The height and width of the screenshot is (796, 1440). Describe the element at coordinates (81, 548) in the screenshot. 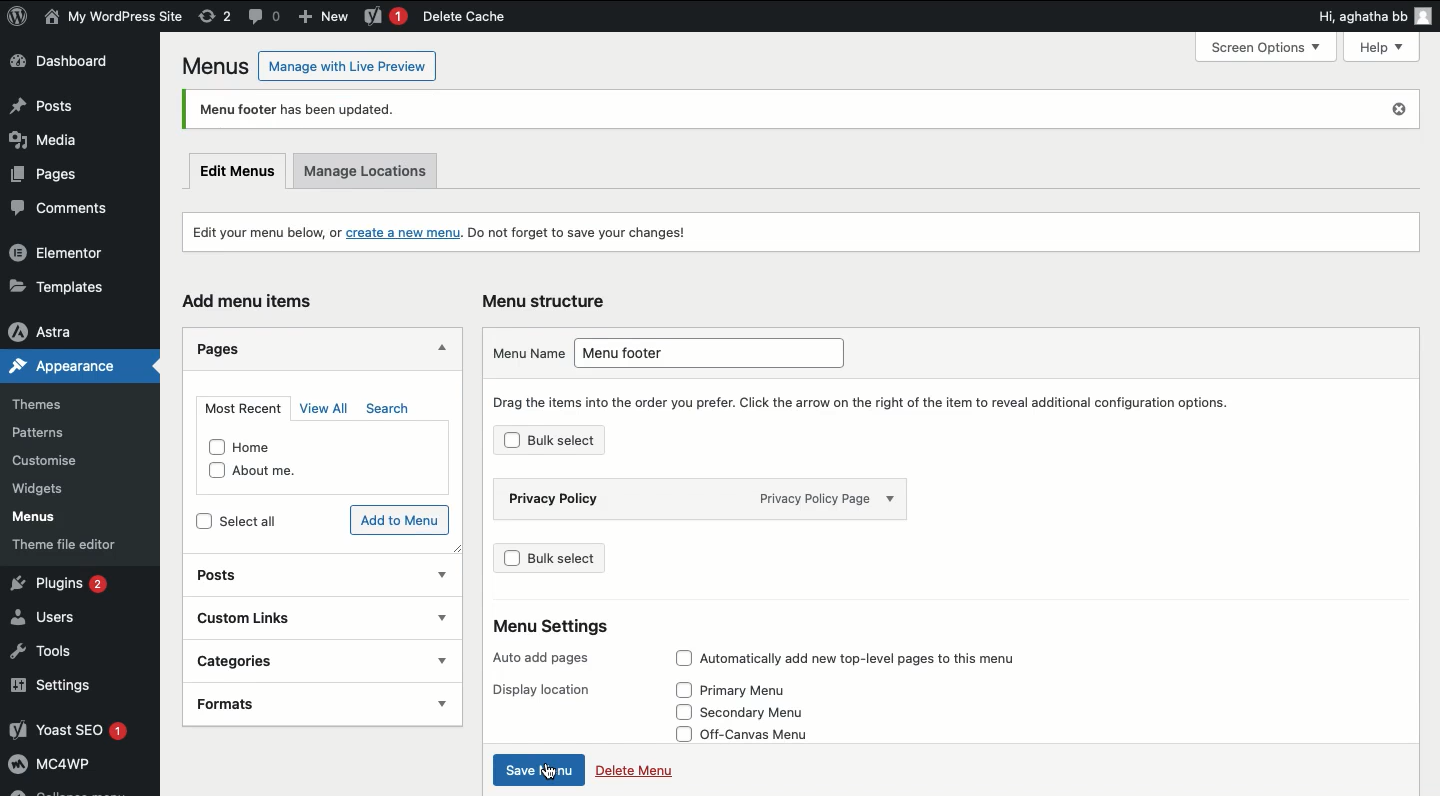

I see `Theme file editor` at that location.